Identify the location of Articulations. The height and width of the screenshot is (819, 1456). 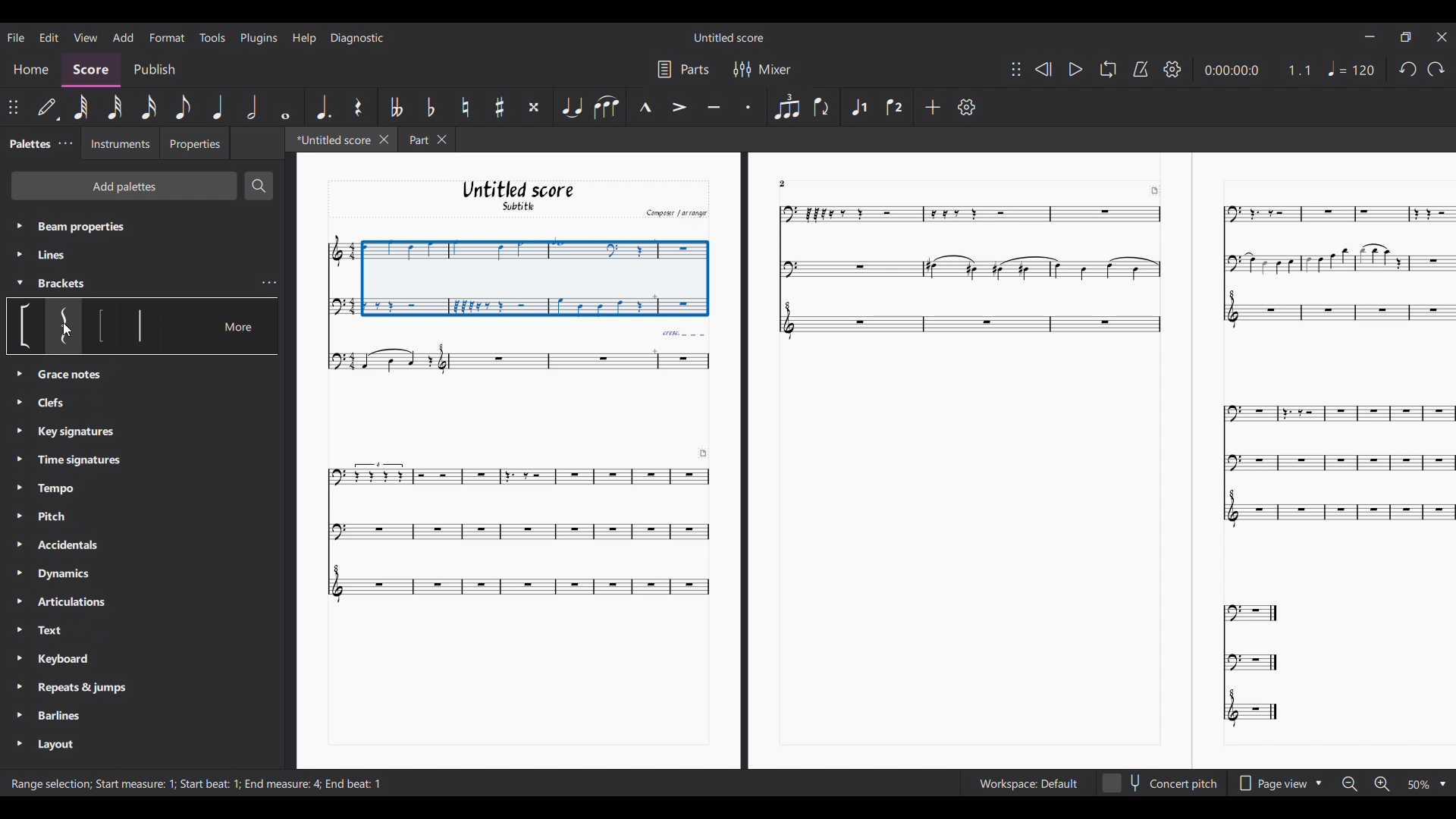
(77, 600).